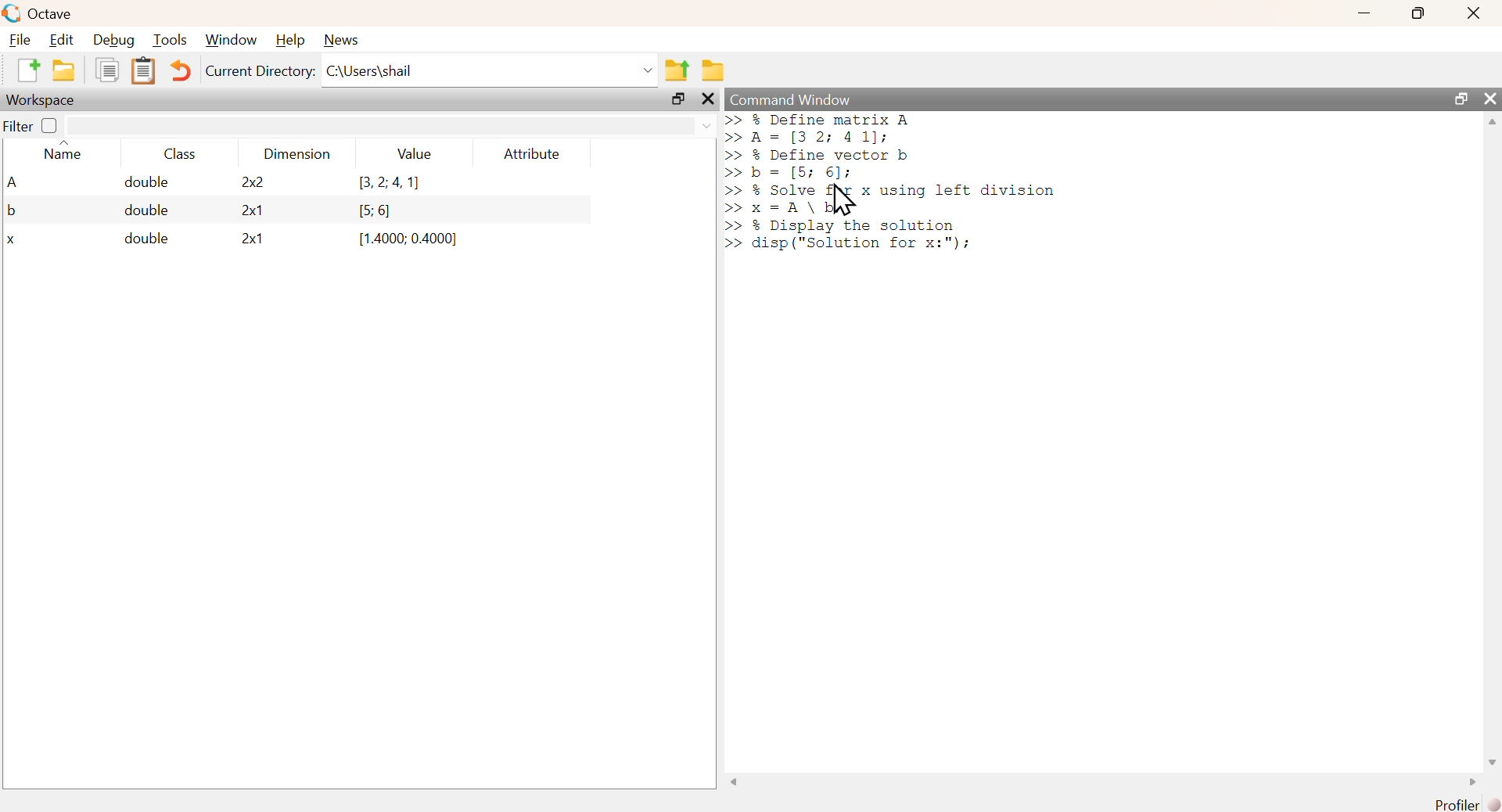  I want to click on x, so click(15, 241).